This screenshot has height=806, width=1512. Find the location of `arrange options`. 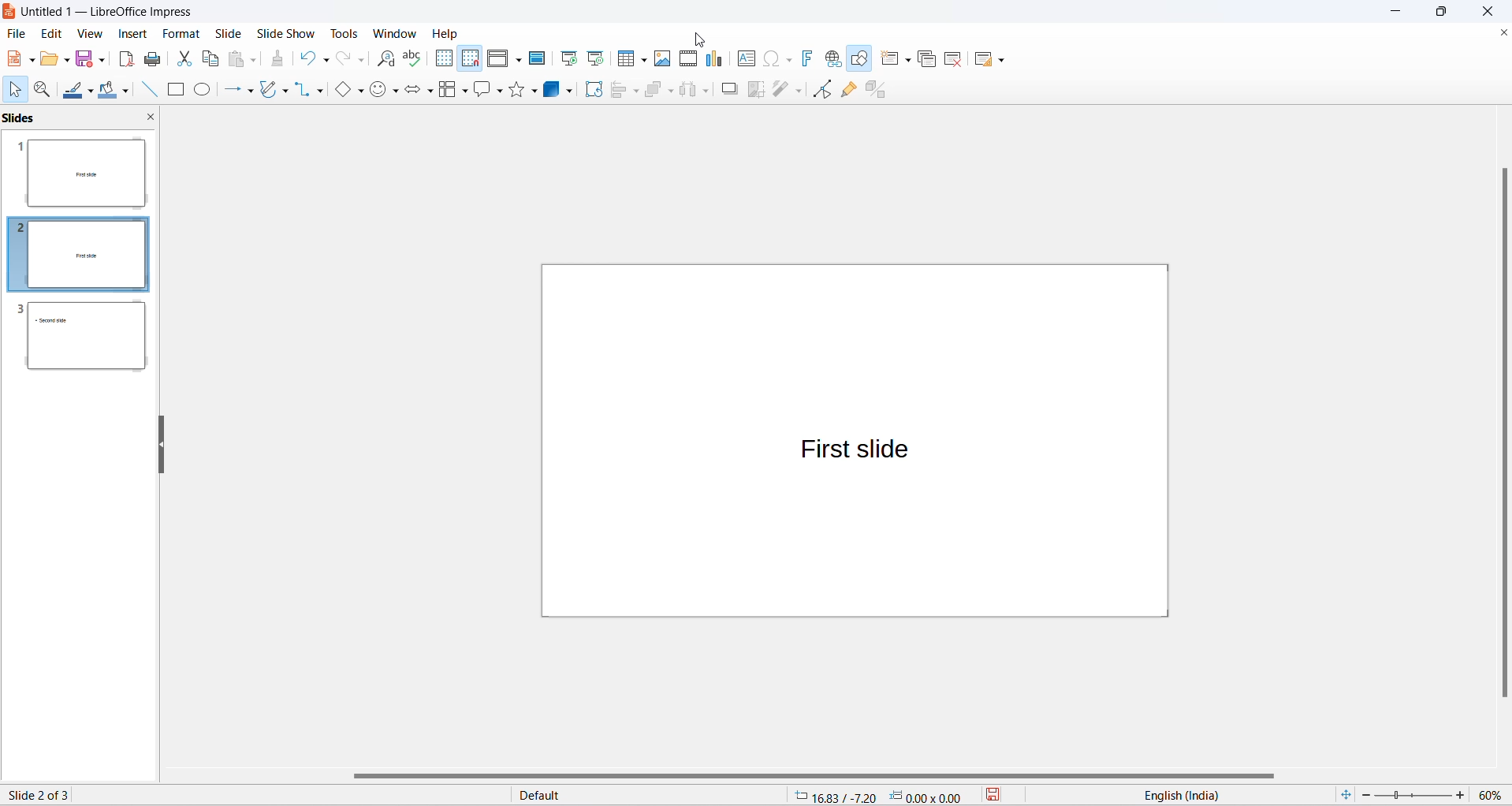

arrange options is located at coordinates (672, 90).